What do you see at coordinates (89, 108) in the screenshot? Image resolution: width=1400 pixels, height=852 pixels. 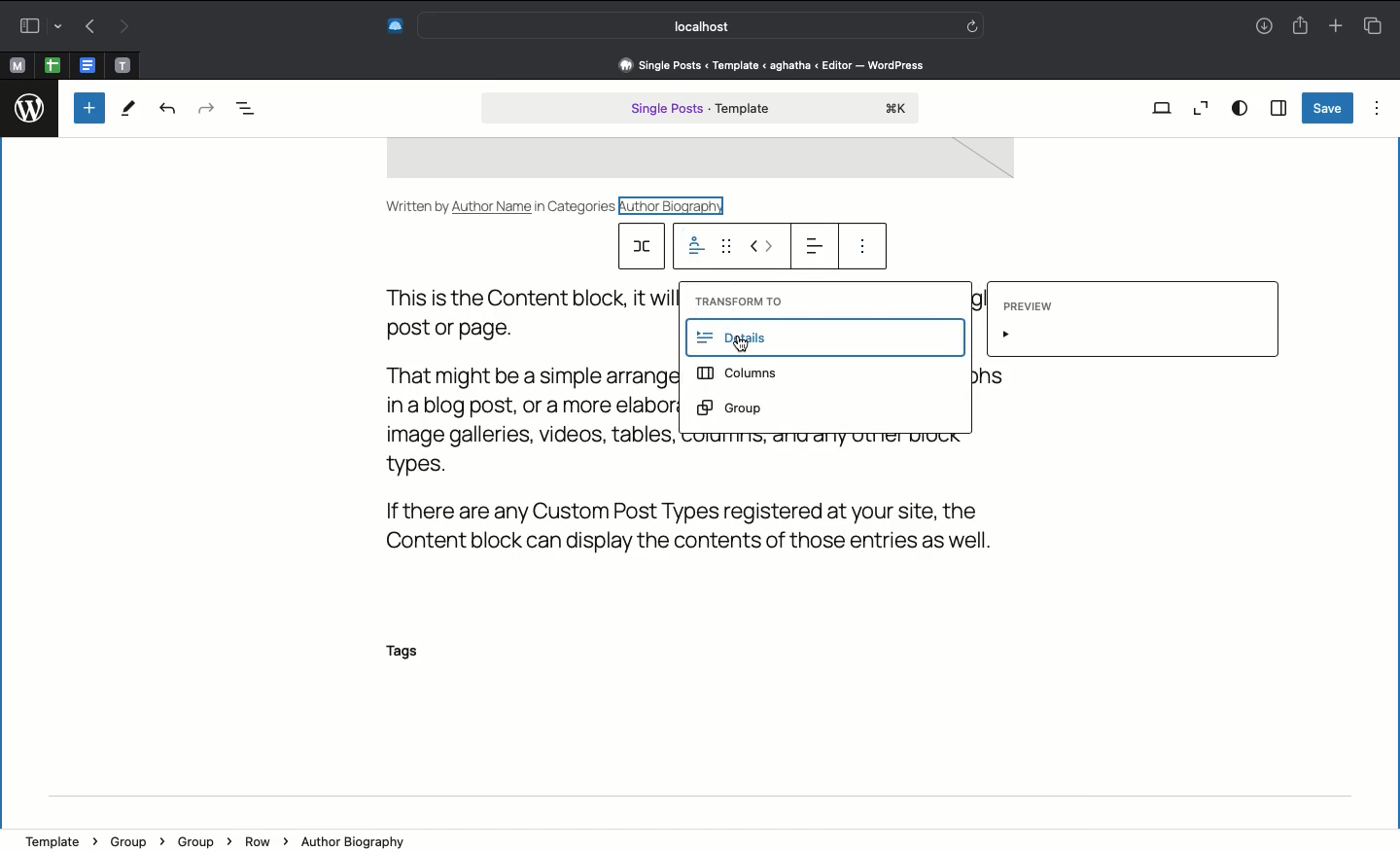 I see `Add new block` at bounding box center [89, 108].